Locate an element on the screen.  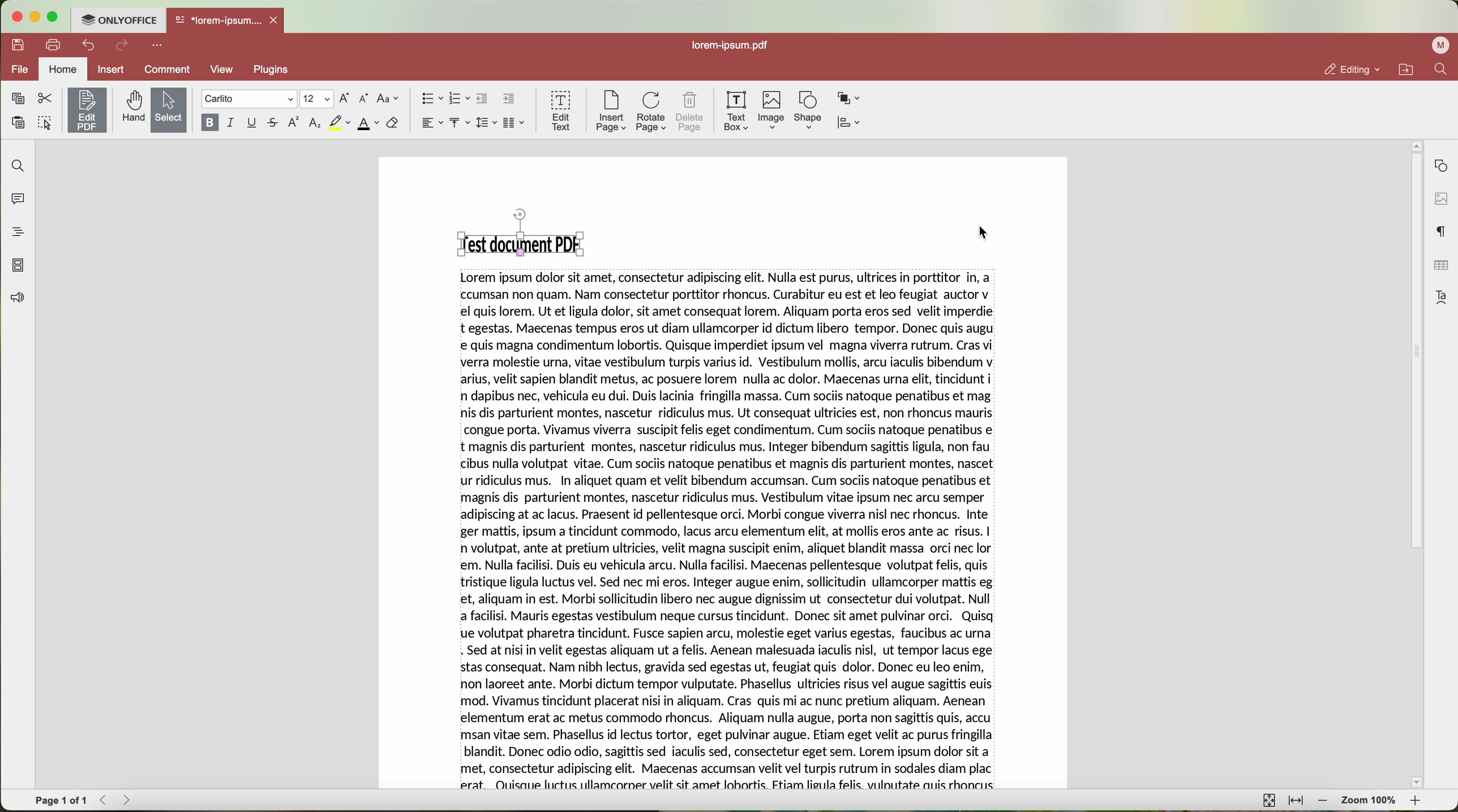
increase indent is located at coordinates (509, 99).